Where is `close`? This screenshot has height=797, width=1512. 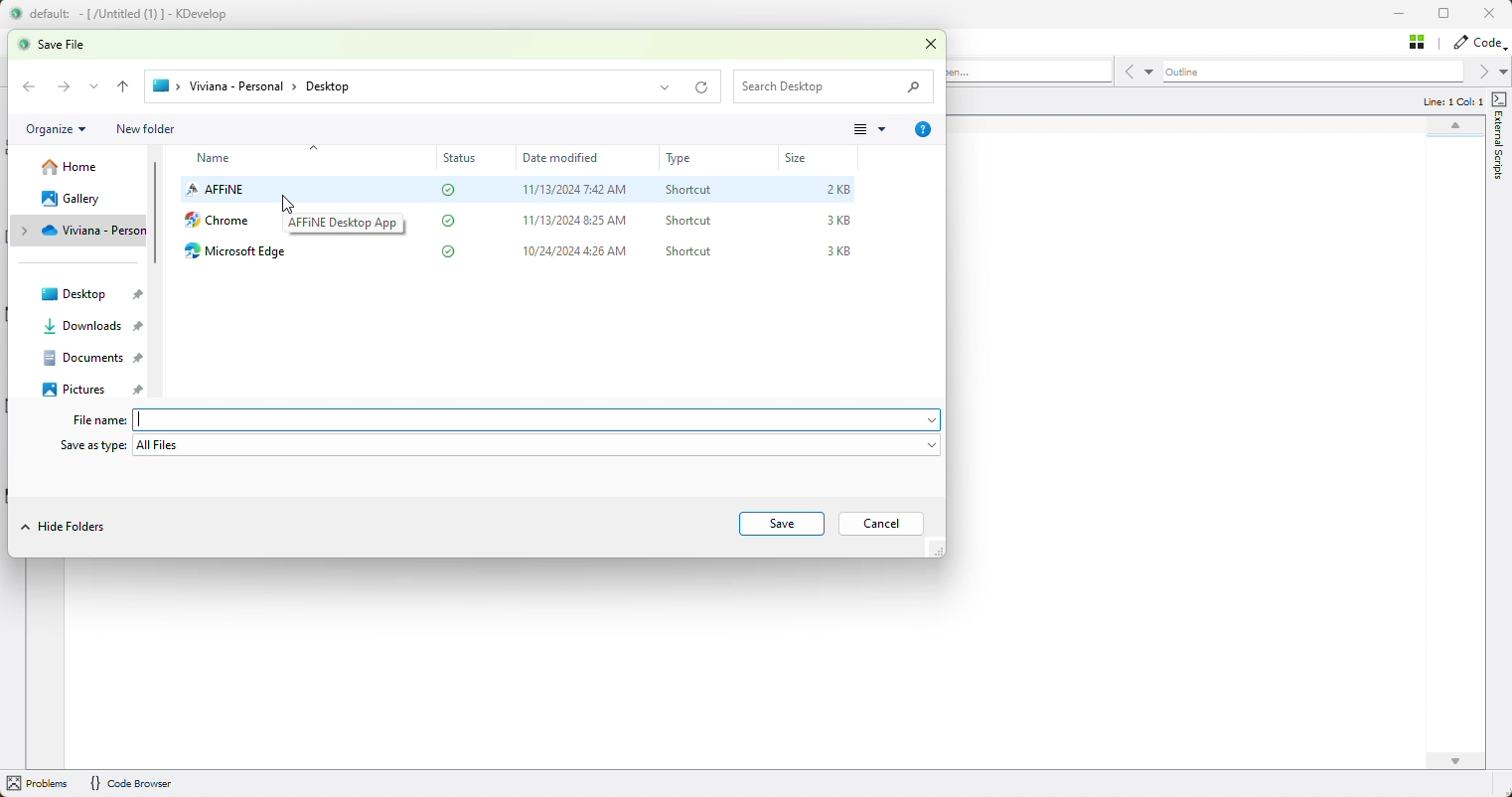
close is located at coordinates (1494, 14).